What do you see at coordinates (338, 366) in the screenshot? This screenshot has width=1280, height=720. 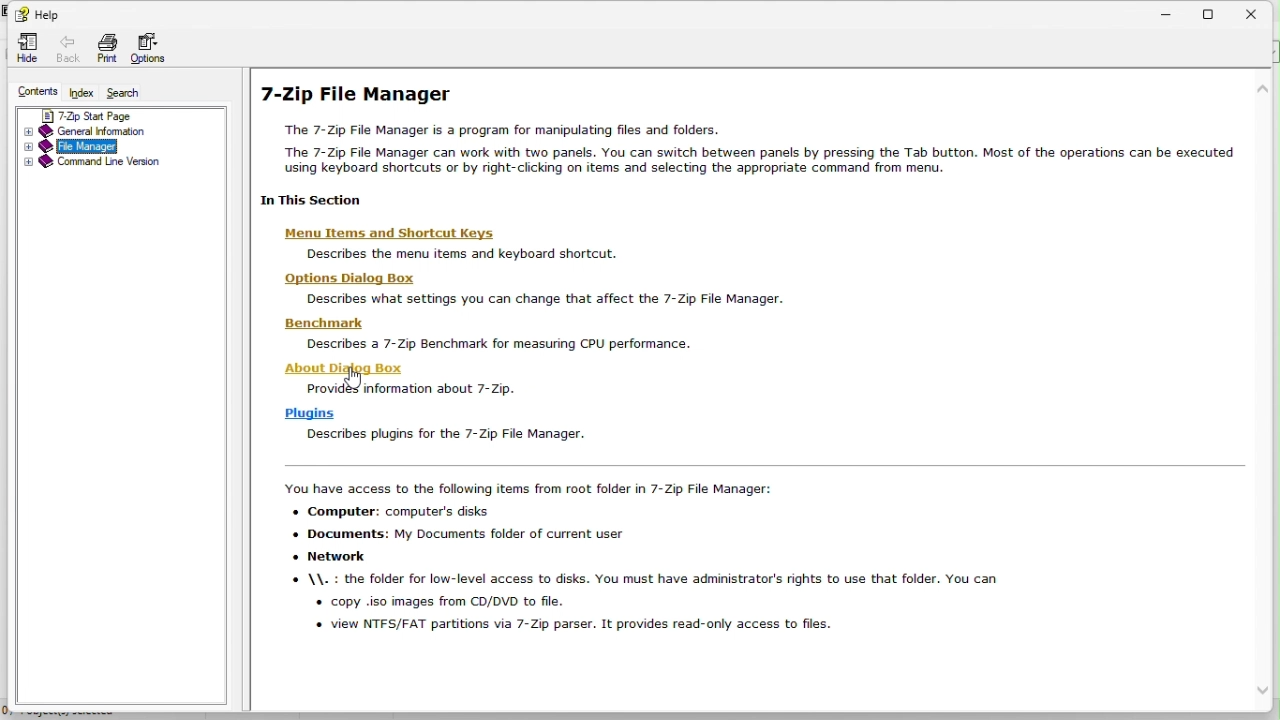 I see `about dialog box` at bounding box center [338, 366].